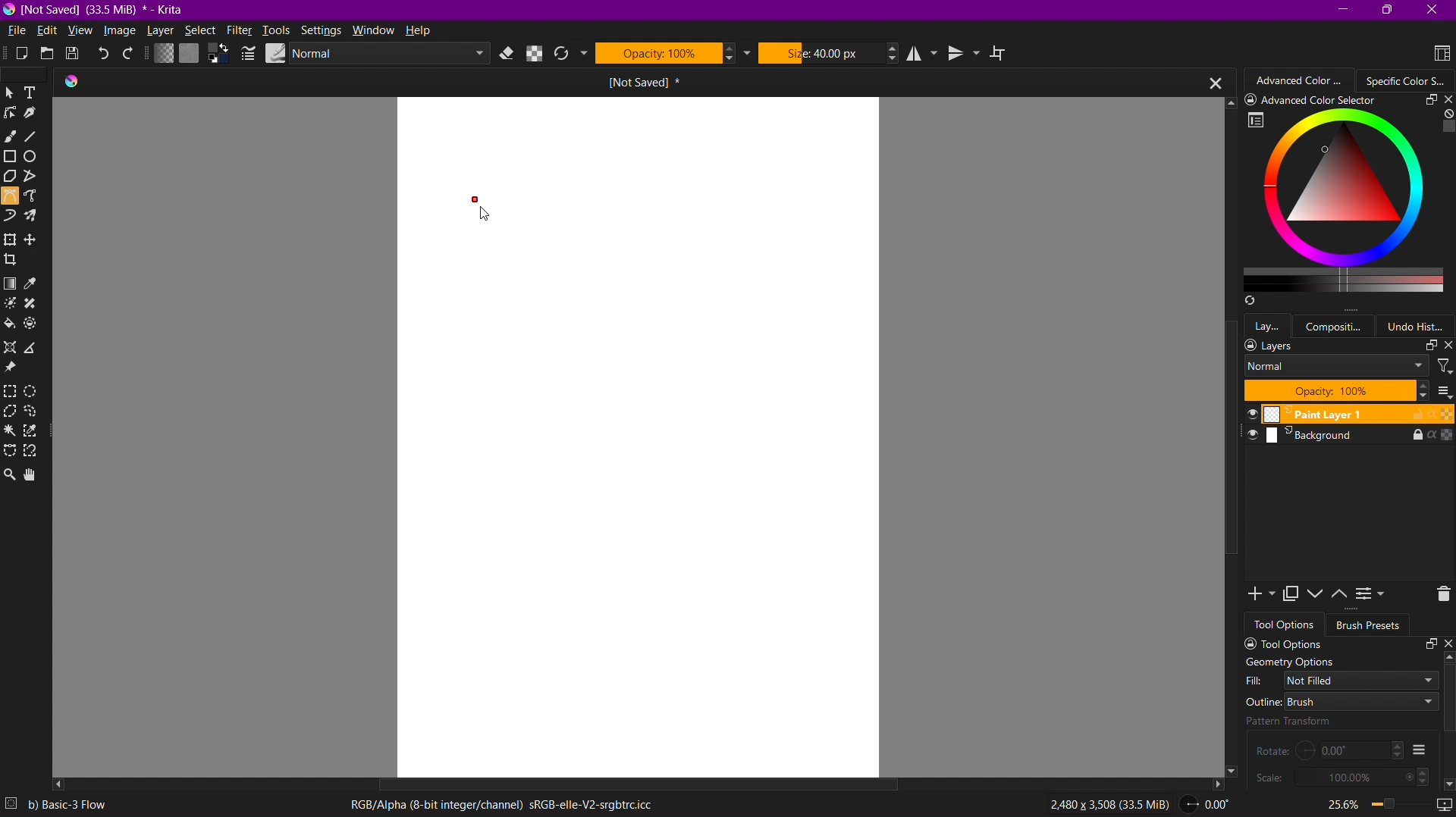  I want to click on Close, so click(1209, 82).